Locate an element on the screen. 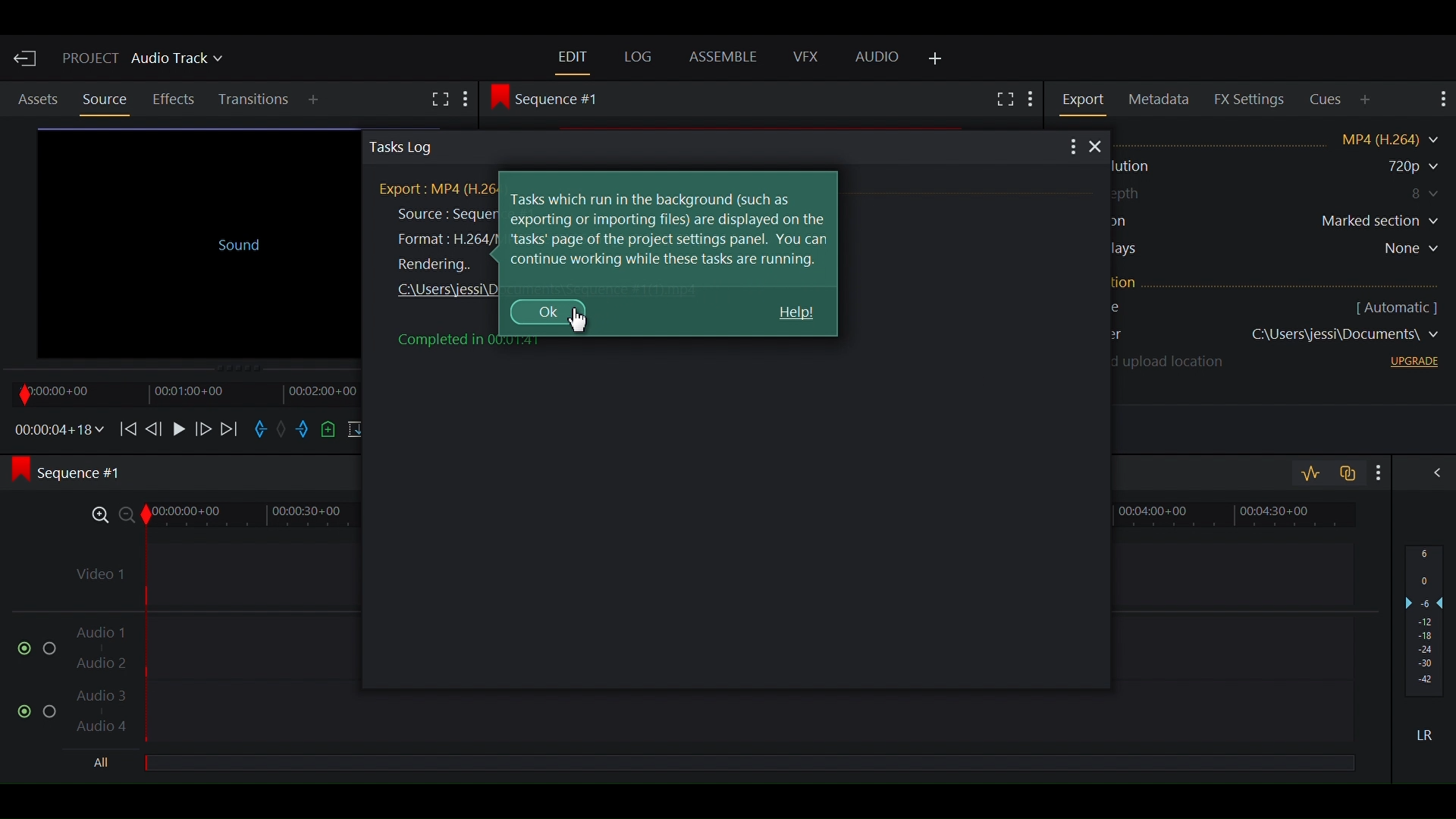  Audio Track 1, Audio Track 2 is located at coordinates (712, 641).